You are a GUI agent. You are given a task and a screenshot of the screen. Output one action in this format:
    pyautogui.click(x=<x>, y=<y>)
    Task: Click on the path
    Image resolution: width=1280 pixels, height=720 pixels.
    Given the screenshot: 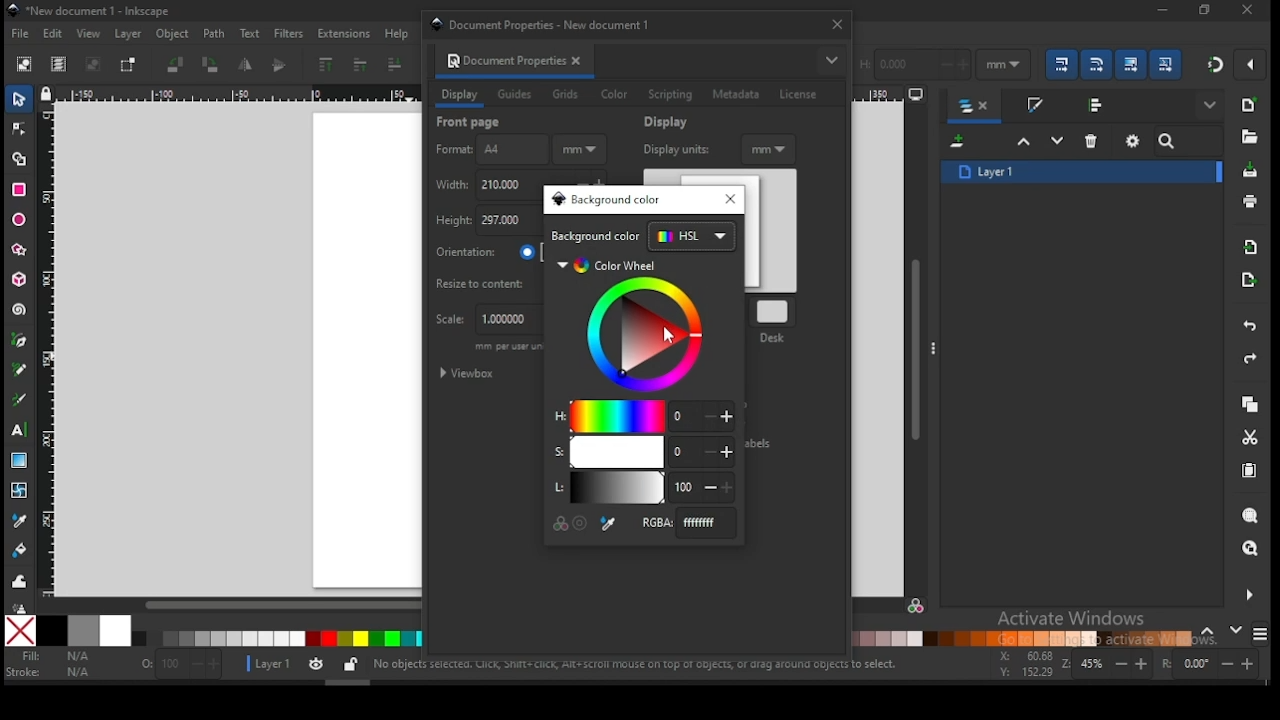 What is the action you would take?
    pyautogui.click(x=214, y=34)
    